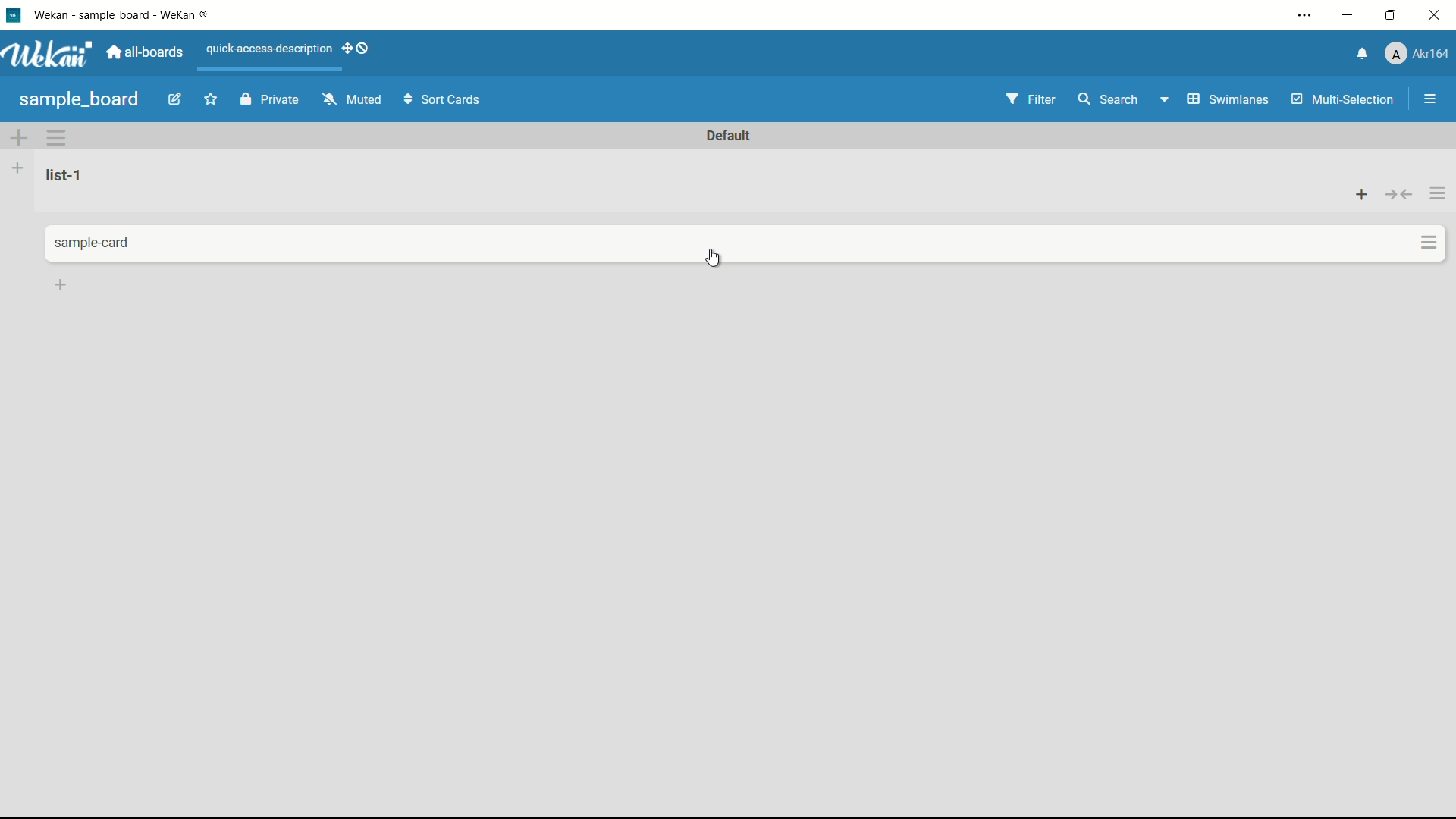 Image resolution: width=1456 pixels, height=819 pixels. What do you see at coordinates (1163, 102) in the screenshot?
I see `dropdown` at bounding box center [1163, 102].